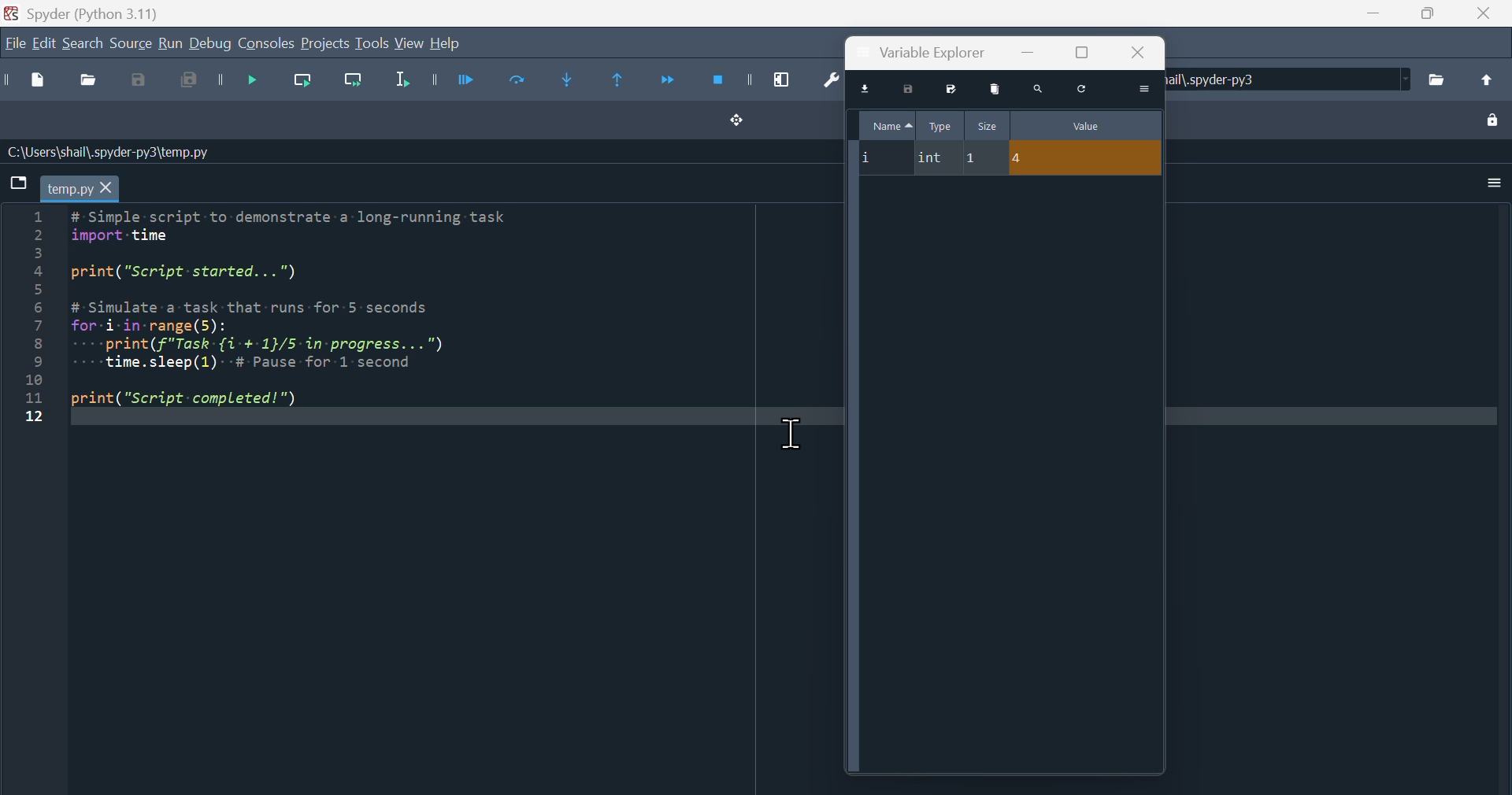 Image resolution: width=1512 pixels, height=795 pixels. I want to click on Value, so click(1084, 125).